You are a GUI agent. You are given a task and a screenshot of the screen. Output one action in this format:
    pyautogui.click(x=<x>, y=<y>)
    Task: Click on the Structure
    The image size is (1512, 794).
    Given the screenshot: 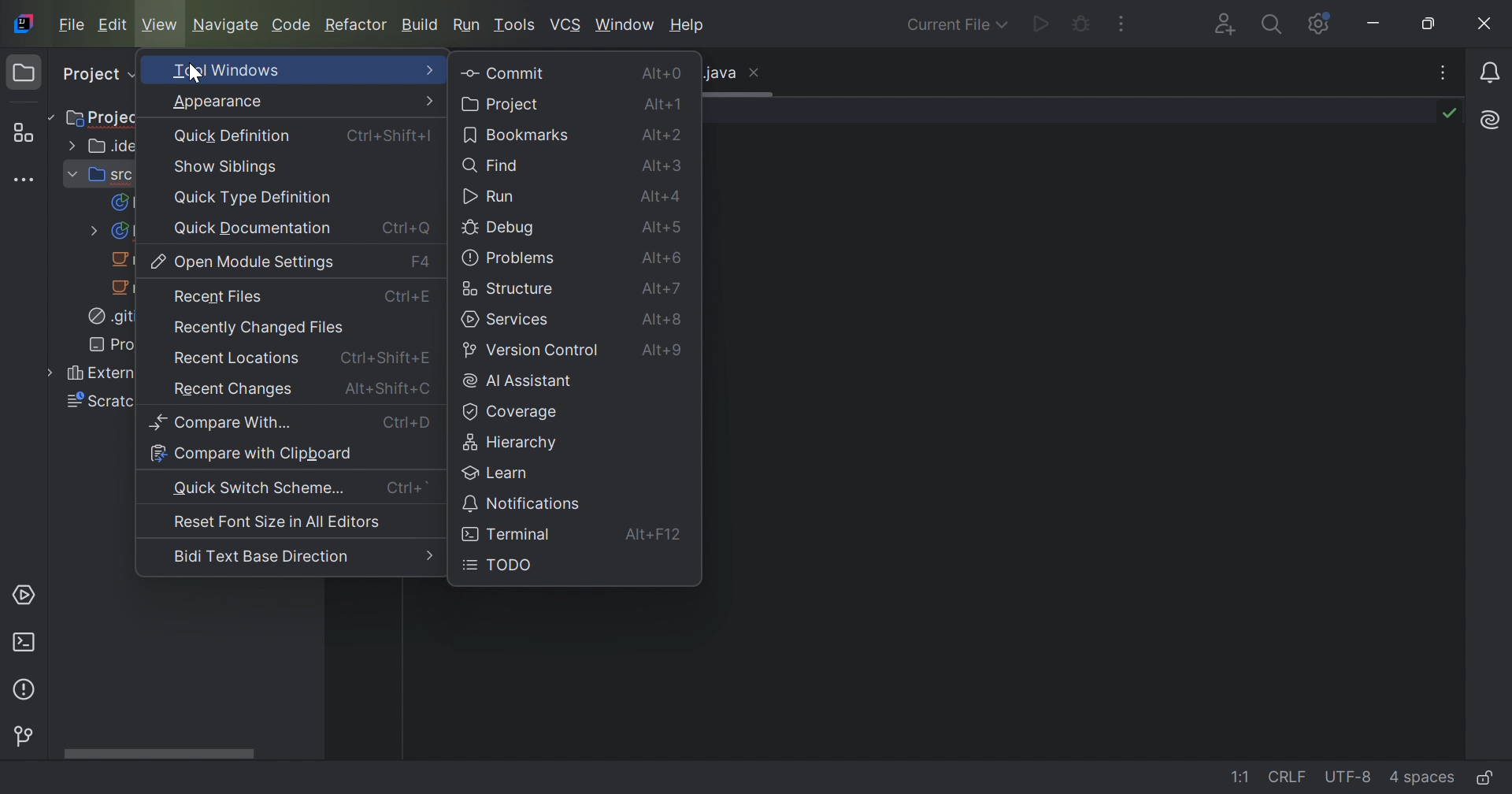 What is the action you would take?
    pyautogui.click(x=510, y=289)
    